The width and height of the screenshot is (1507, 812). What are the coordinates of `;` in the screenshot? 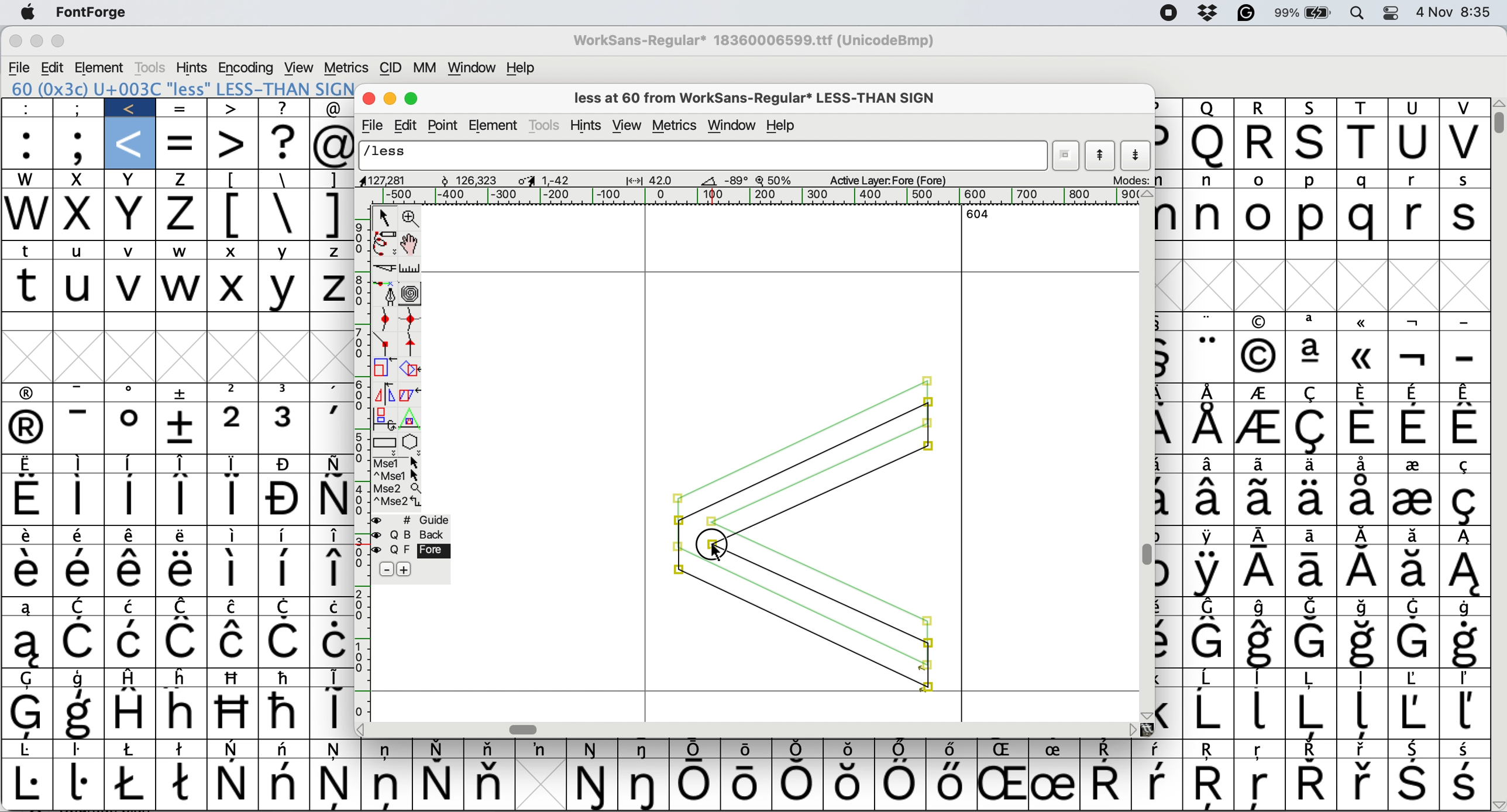 It's located at (78, 108).